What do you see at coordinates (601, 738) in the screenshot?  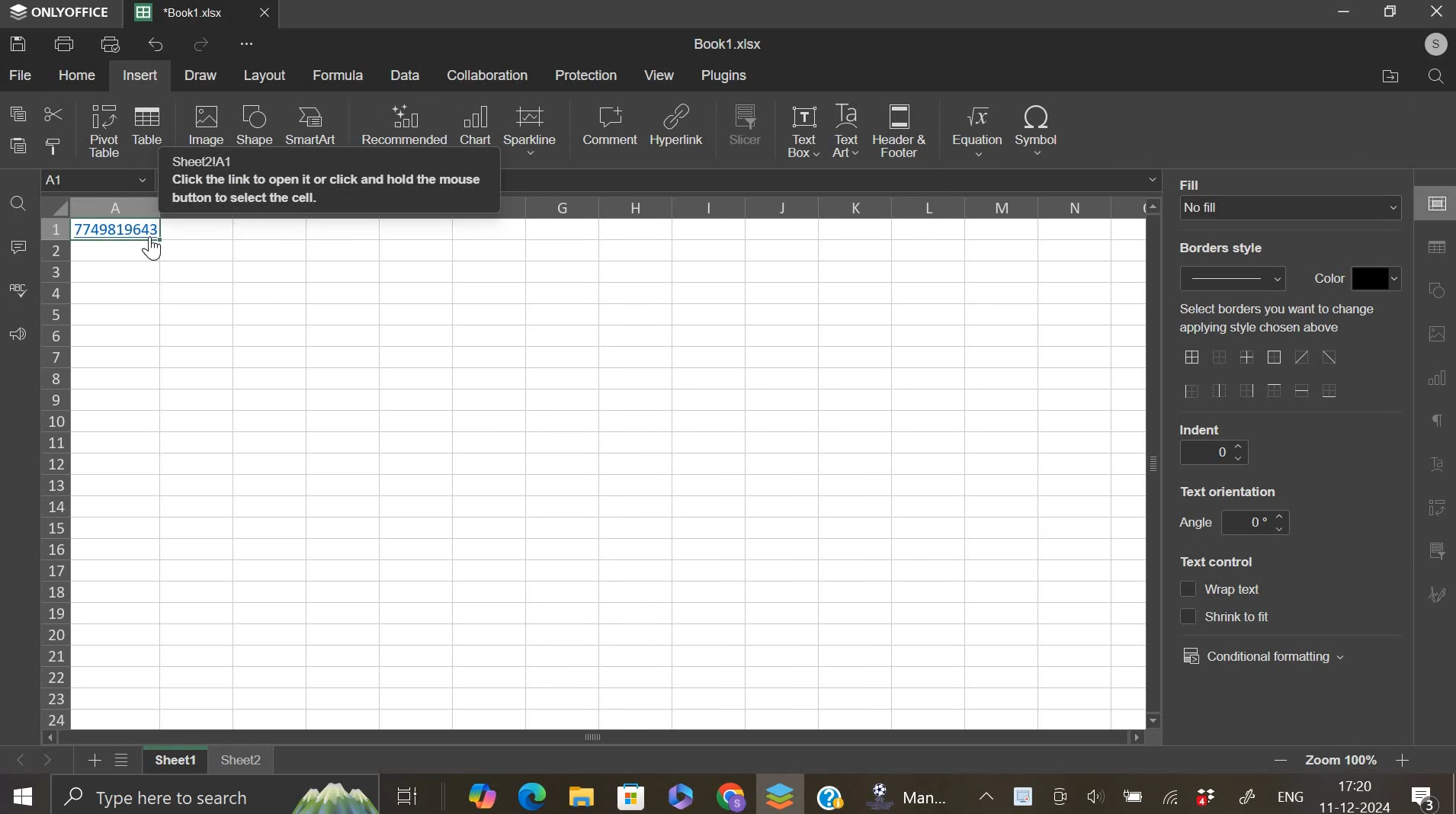 I see `scroll bar` at bounding box center [601, 738].